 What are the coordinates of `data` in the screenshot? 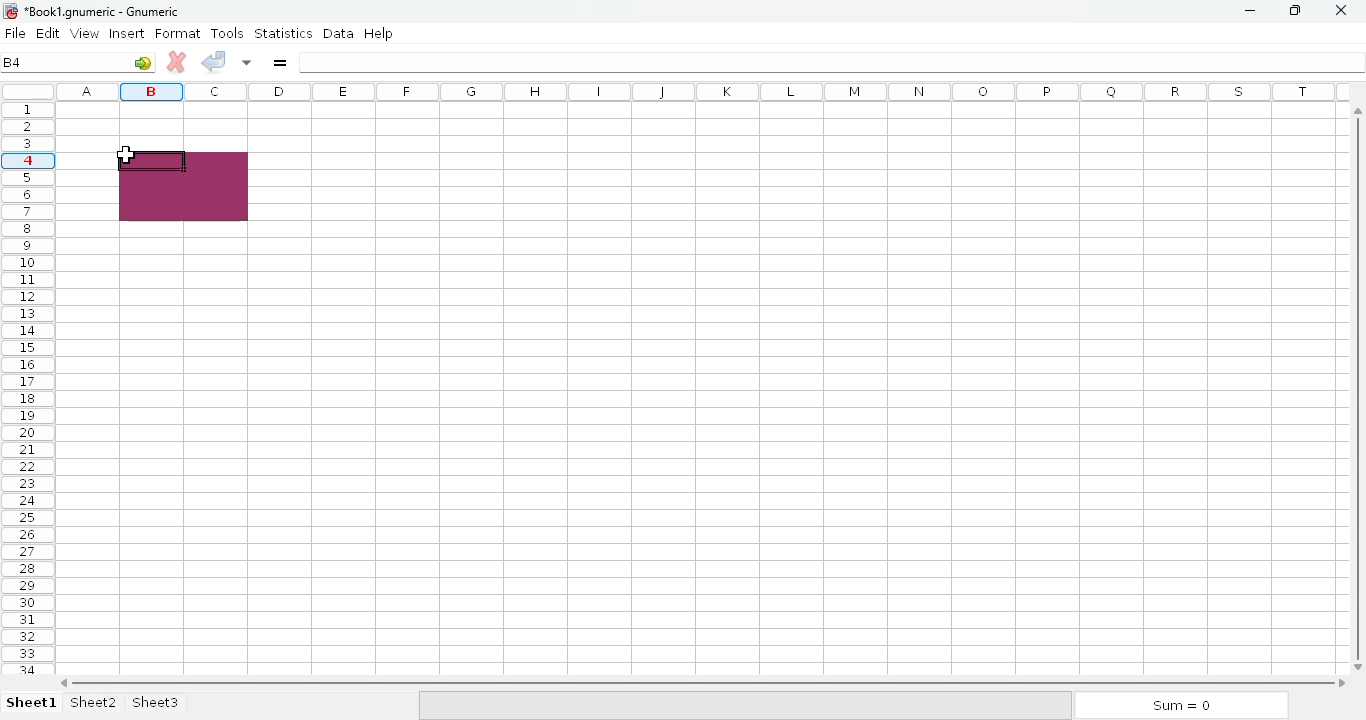 It's located at (338, 33).